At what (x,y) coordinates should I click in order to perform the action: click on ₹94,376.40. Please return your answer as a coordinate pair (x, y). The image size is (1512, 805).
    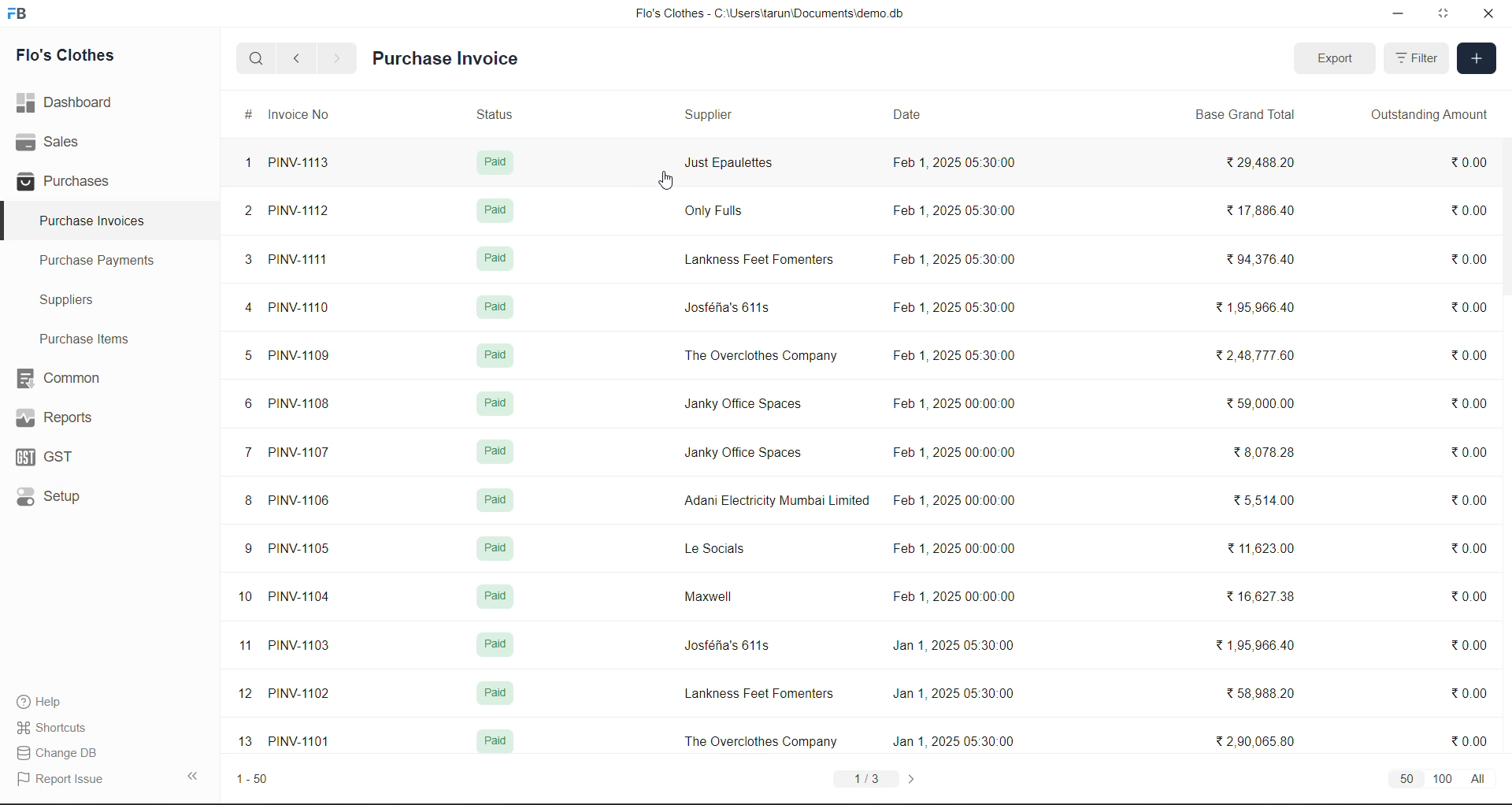
    Looking at the image, I should click on (1266, 259).